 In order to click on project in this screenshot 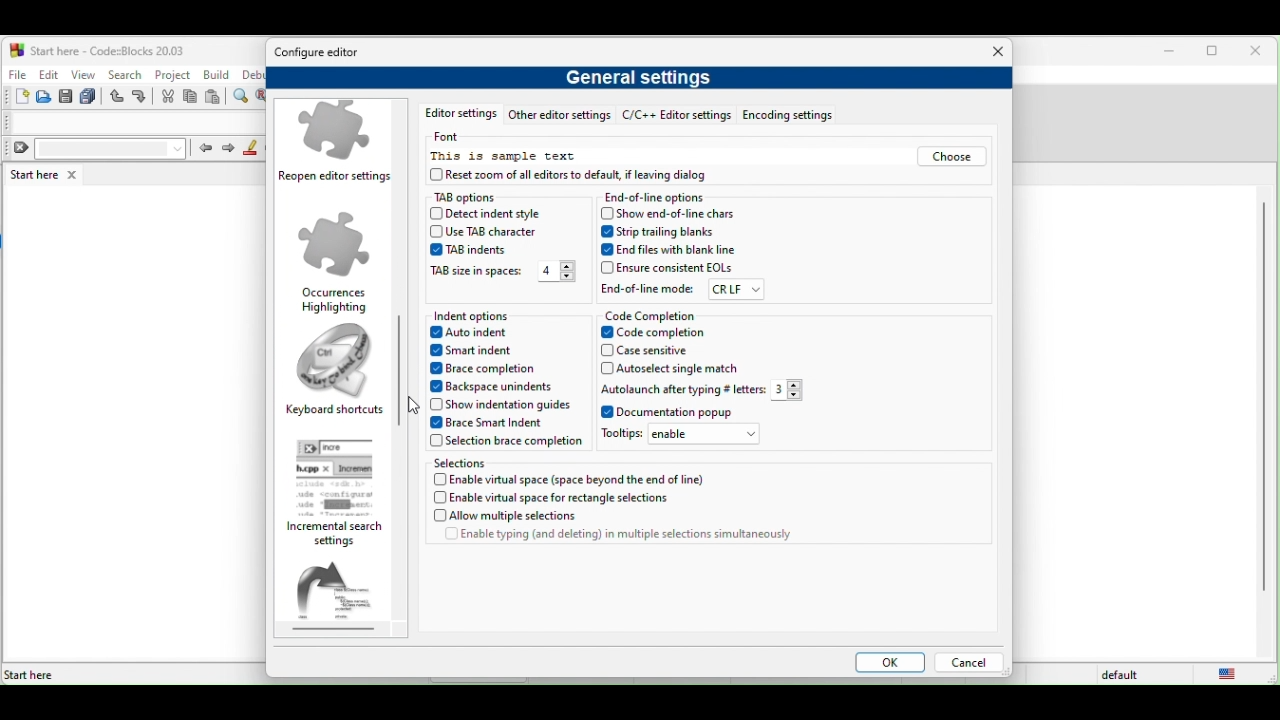, I will do `click(173, 73)`.